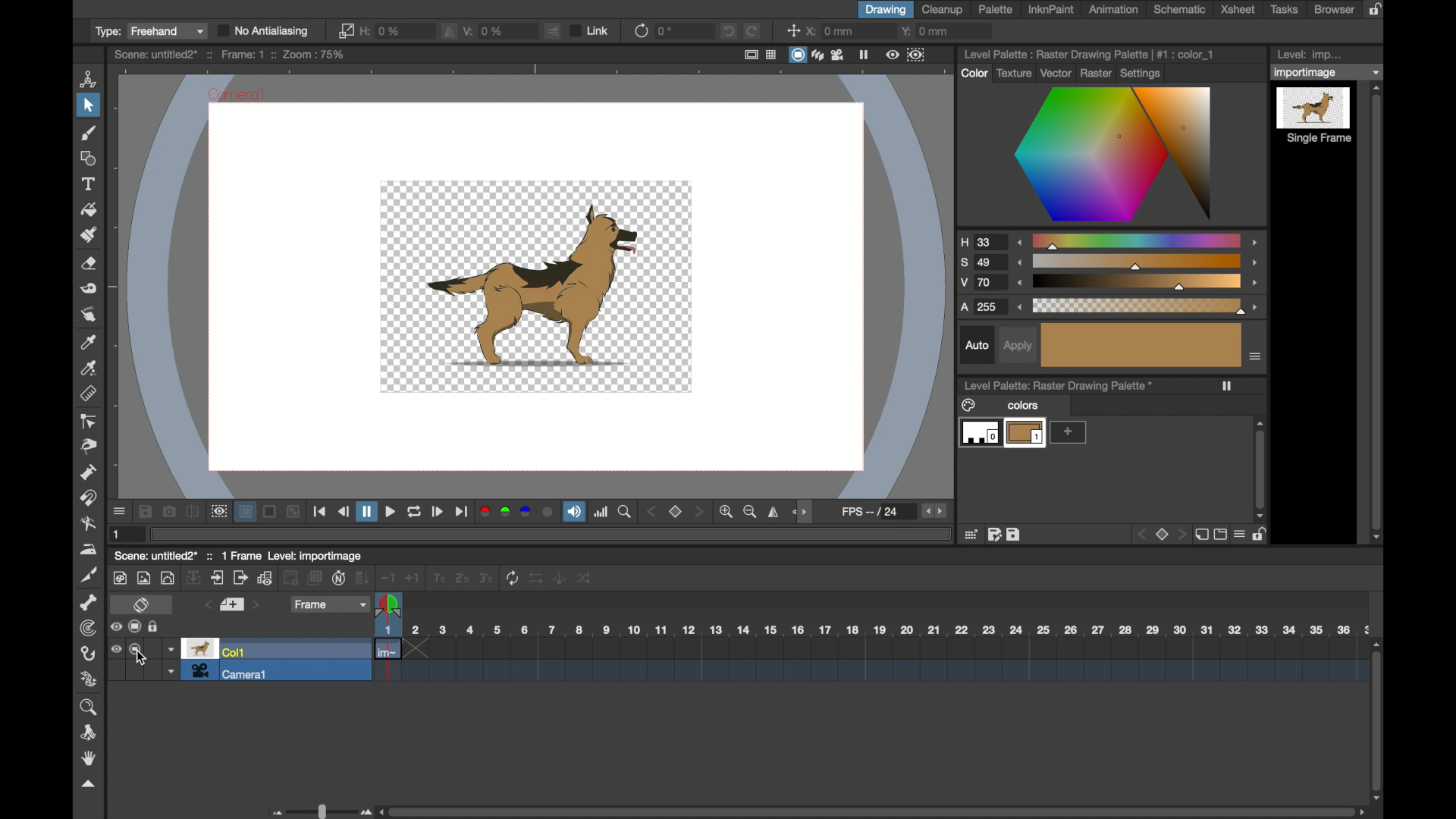  What do you see at coordinates (974, 73) in the screenshot?
I see `color` at bounding box center [974, 73].